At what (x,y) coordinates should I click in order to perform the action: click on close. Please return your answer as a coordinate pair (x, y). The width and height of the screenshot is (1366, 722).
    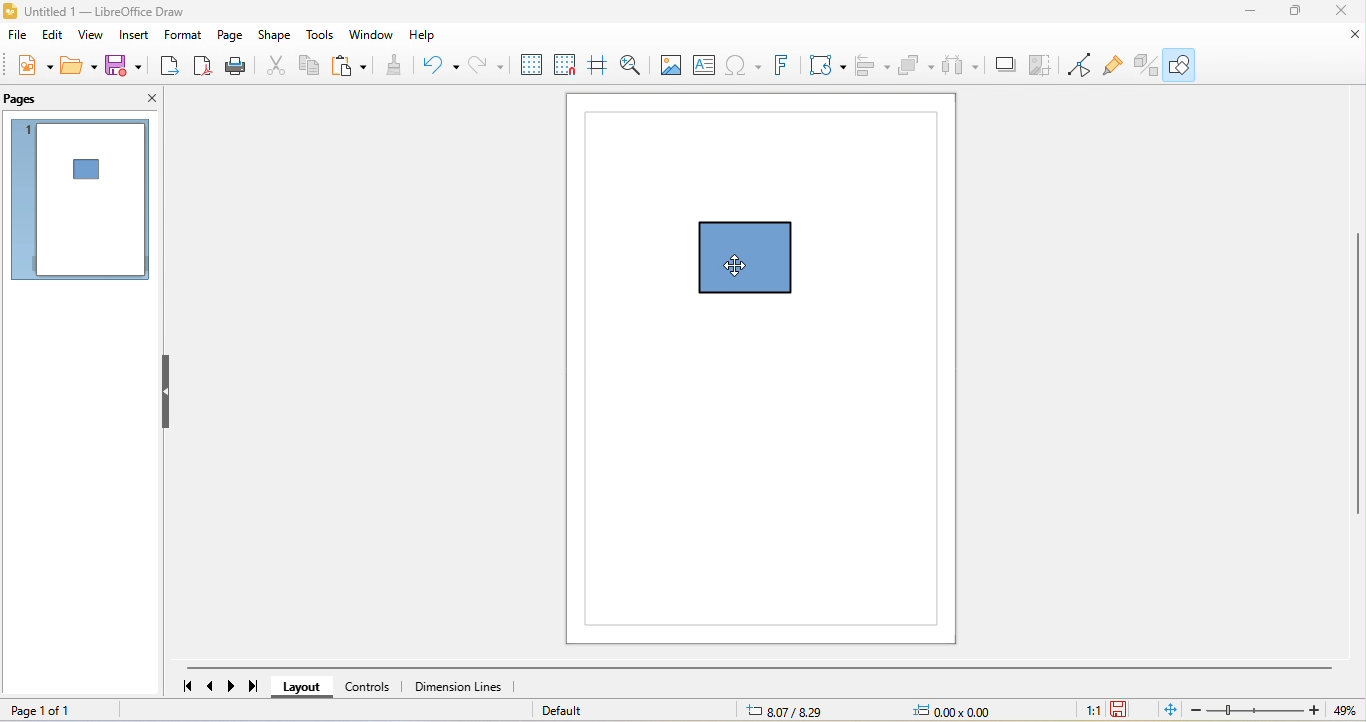
    Looking at the image, I should click on (137, 101).